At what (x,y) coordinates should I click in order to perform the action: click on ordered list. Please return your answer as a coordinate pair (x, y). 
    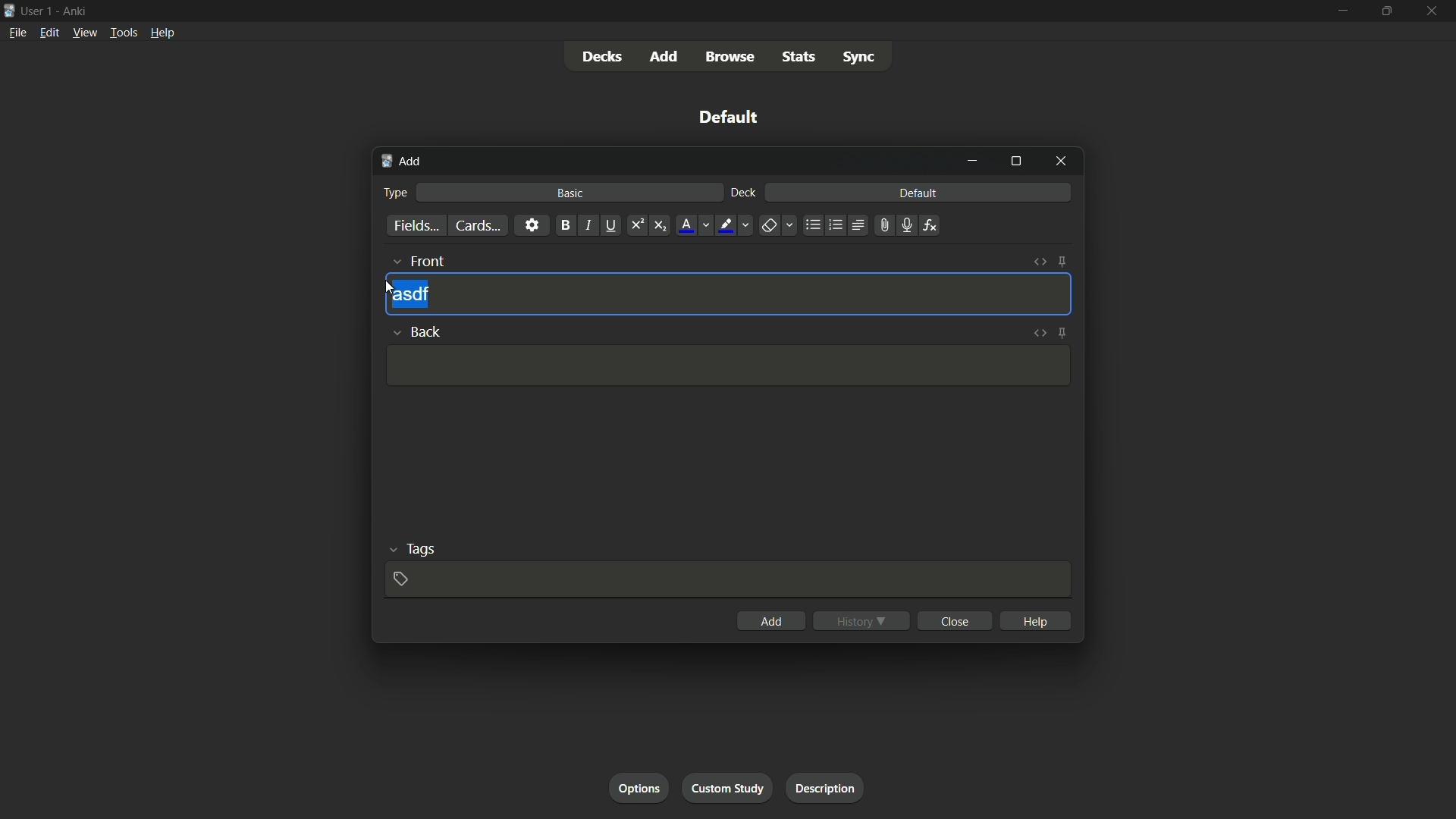
    Looking at the image, I should click on (836, 226).